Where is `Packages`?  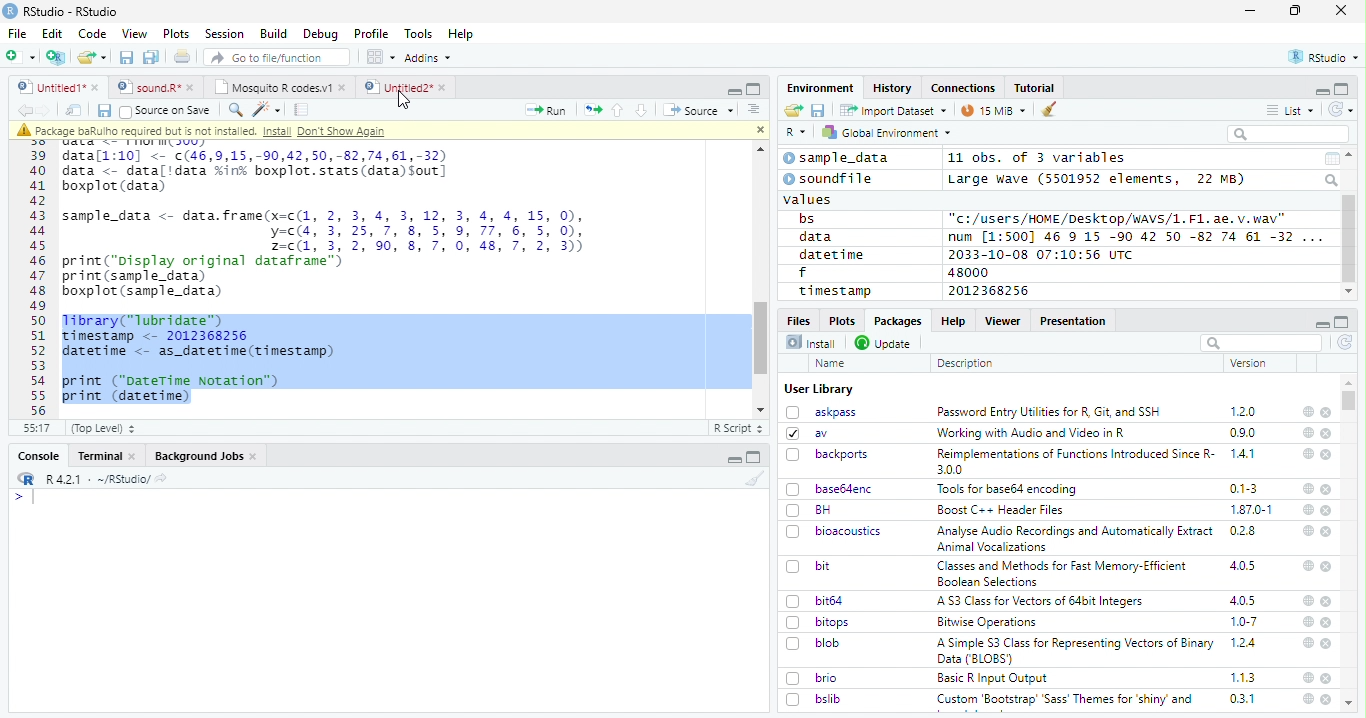 Packages is located at coordinates (896, 321).